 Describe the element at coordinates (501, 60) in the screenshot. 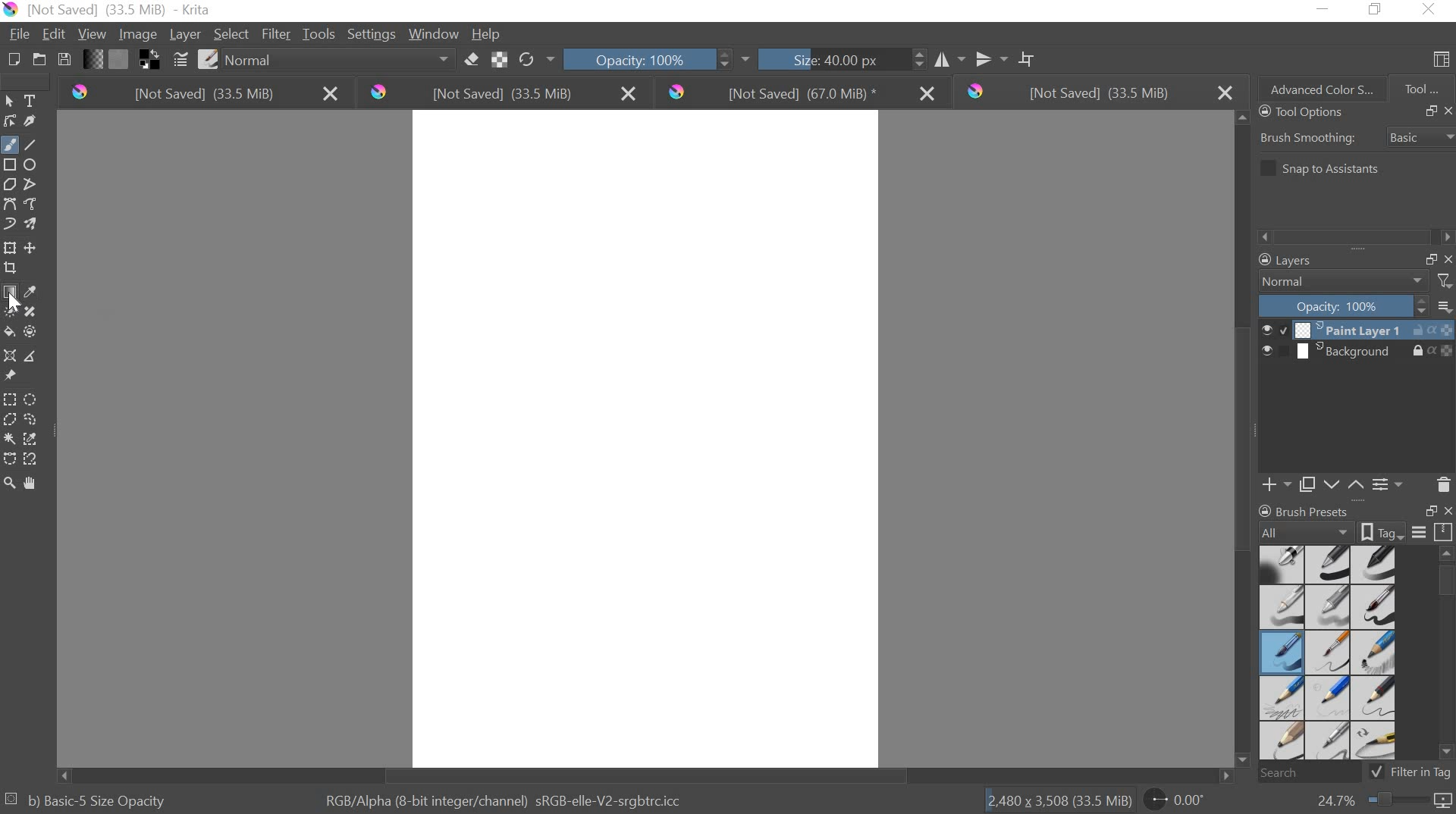

I see `PRESERVE ALPHA` at that location.